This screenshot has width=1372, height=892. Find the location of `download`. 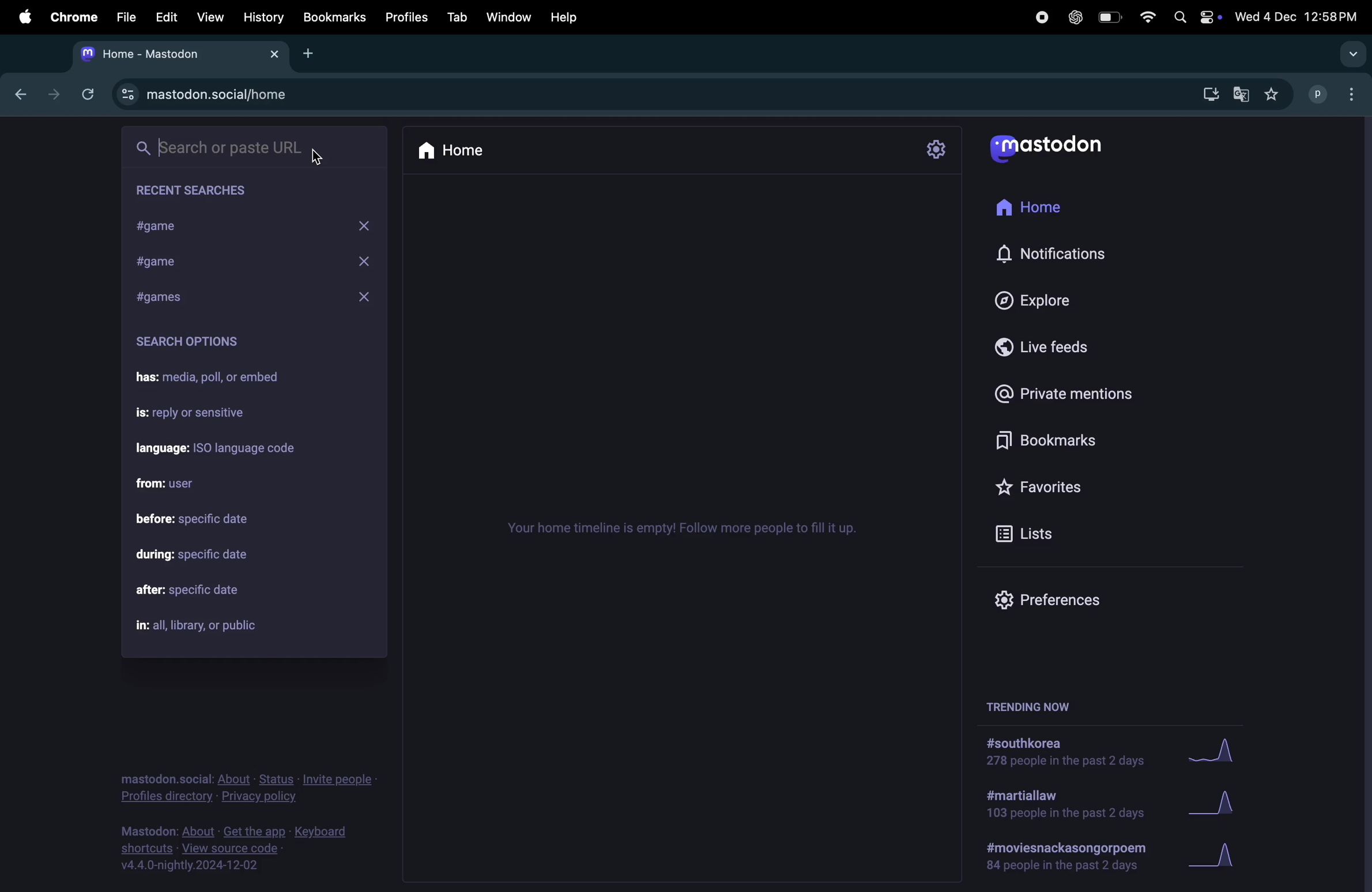

download is located at coordinates (1206, 93).